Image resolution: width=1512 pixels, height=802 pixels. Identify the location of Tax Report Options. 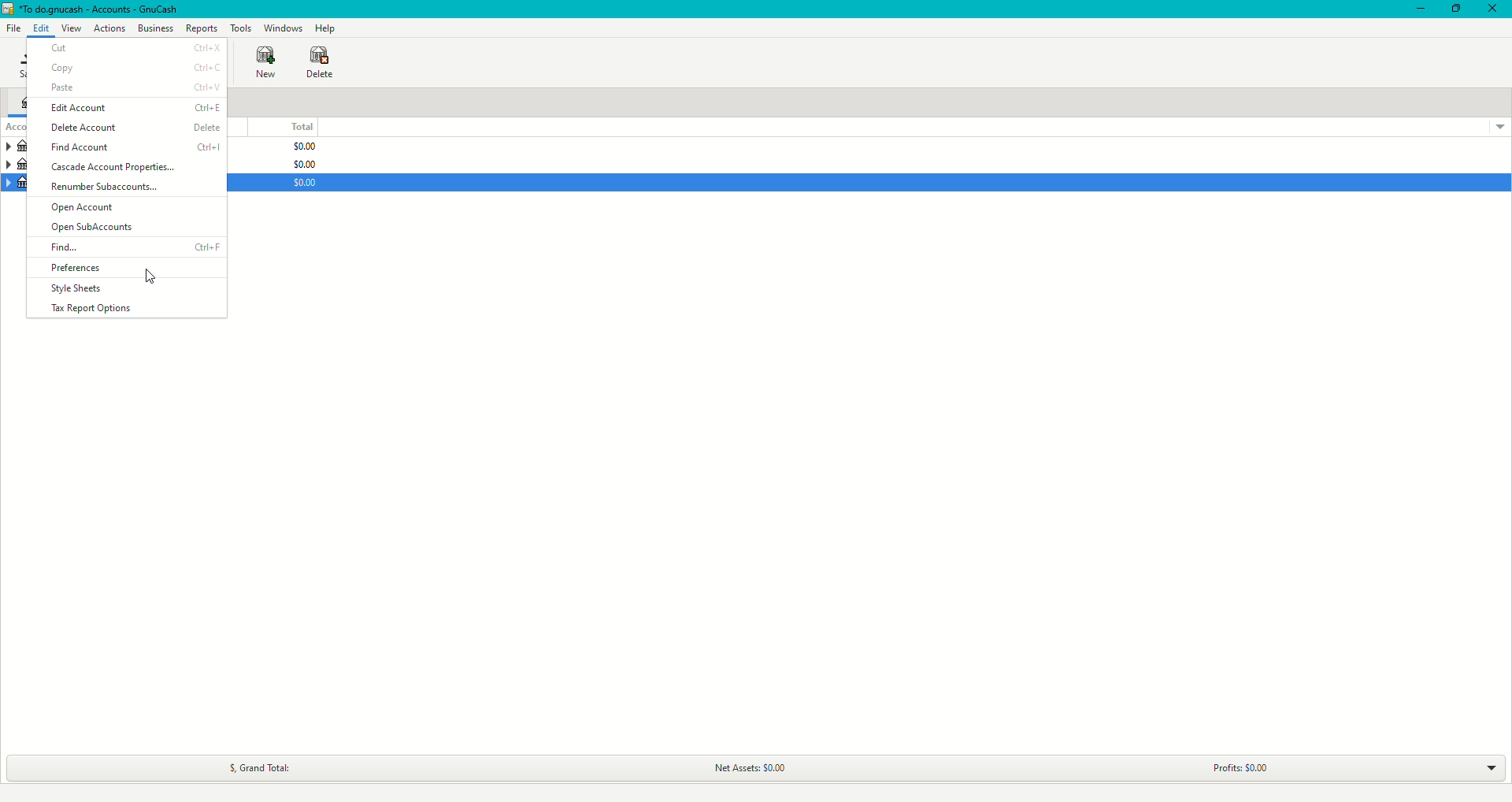
(100, 309).